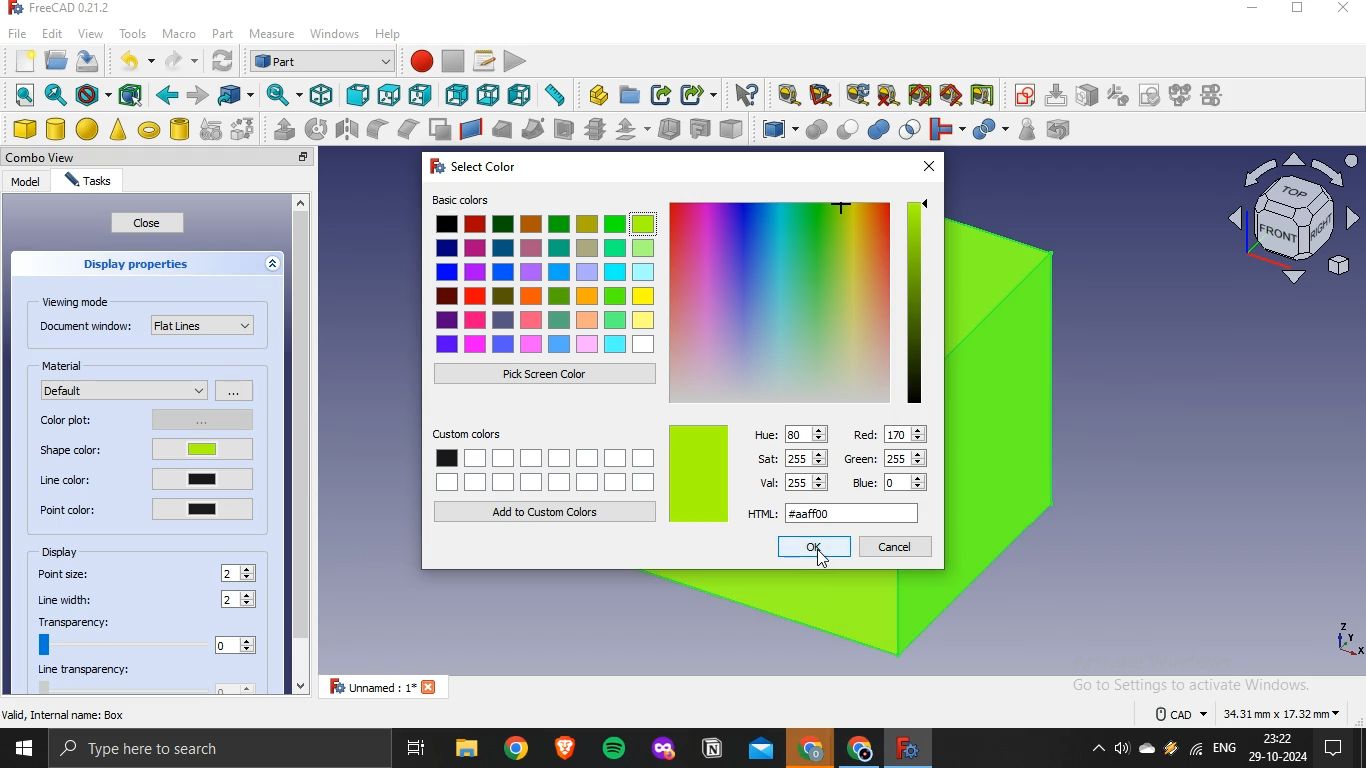 This screenshot has width=1366, height=768. What do you see at coordinates (316, 128) in the screenshot?
I see `revolve` at bounding box center [316, 128].